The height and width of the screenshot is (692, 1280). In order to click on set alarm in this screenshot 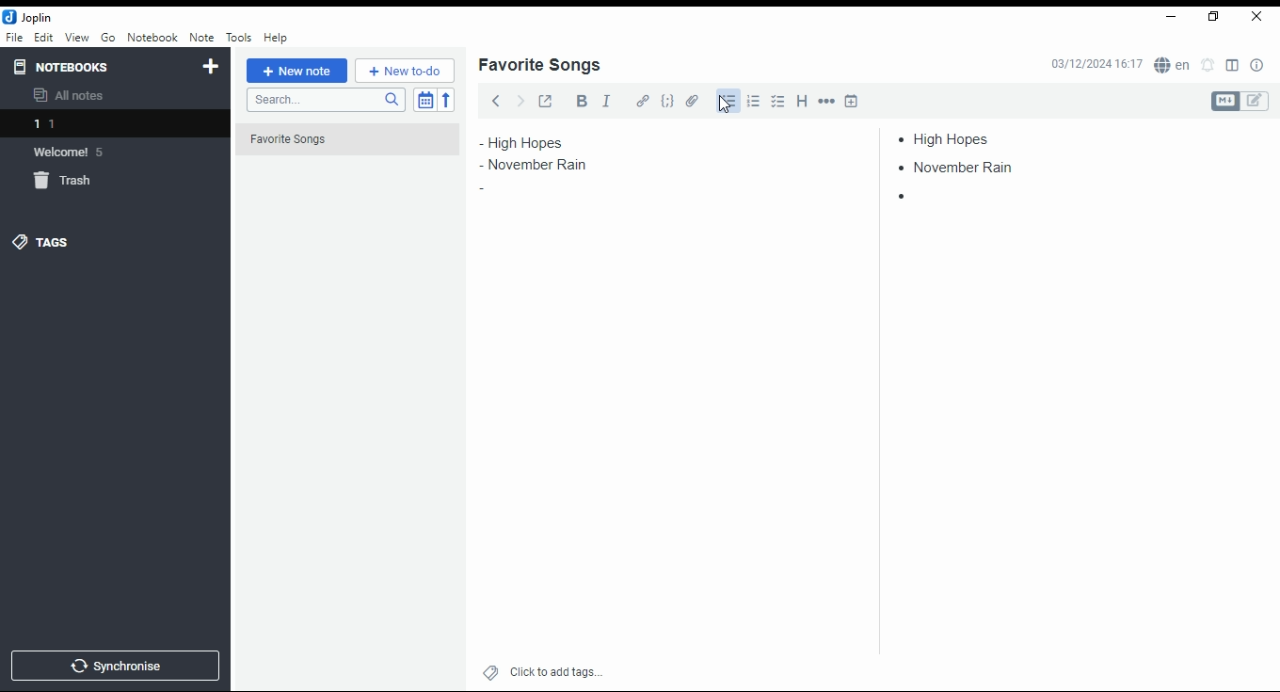, I will do `click(1209, 65)`.